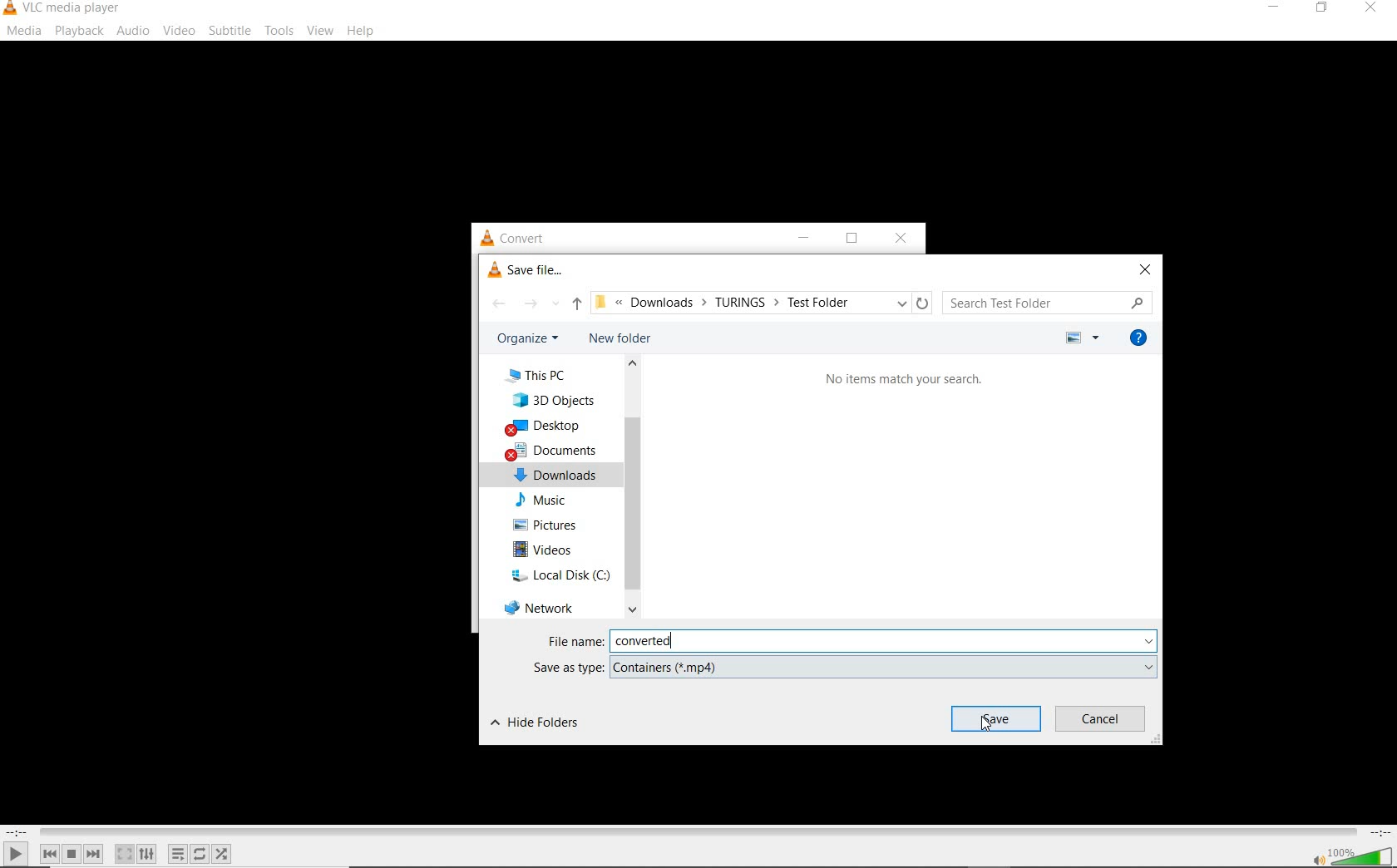  Describe the element at coordinates (124, 854) in the screenshot. I see `toggle the video in fullscreen` at that location.